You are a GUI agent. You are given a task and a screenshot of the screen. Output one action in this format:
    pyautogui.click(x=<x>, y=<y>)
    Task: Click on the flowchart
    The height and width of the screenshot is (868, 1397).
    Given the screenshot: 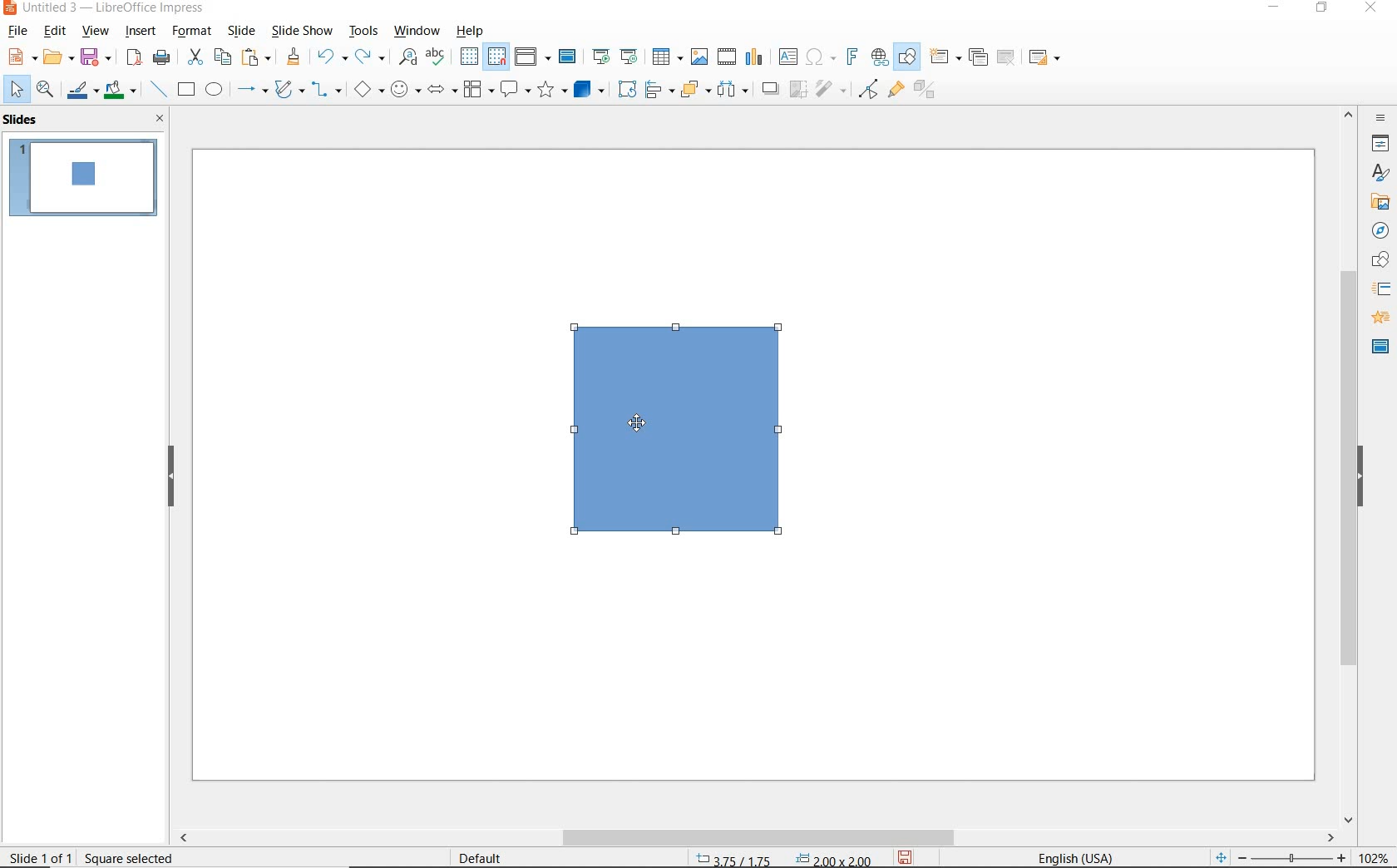 What is the action you would take?
    pyautogui.click(x=480, y=90)
    